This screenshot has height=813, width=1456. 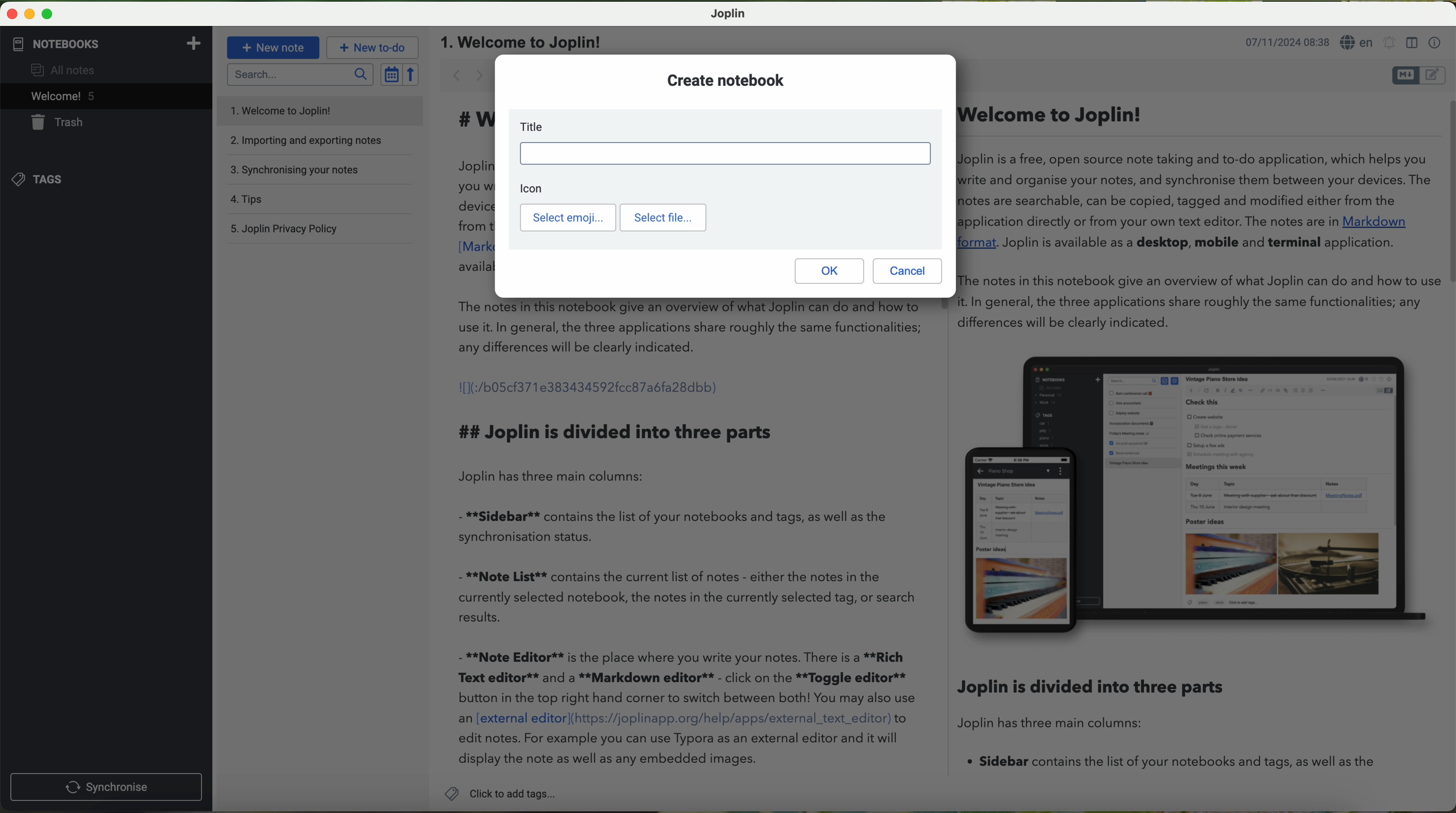 What do you see at coordinates (931, 541) in the screenshot?
I see `workspace` at bounding box center [931, 541].